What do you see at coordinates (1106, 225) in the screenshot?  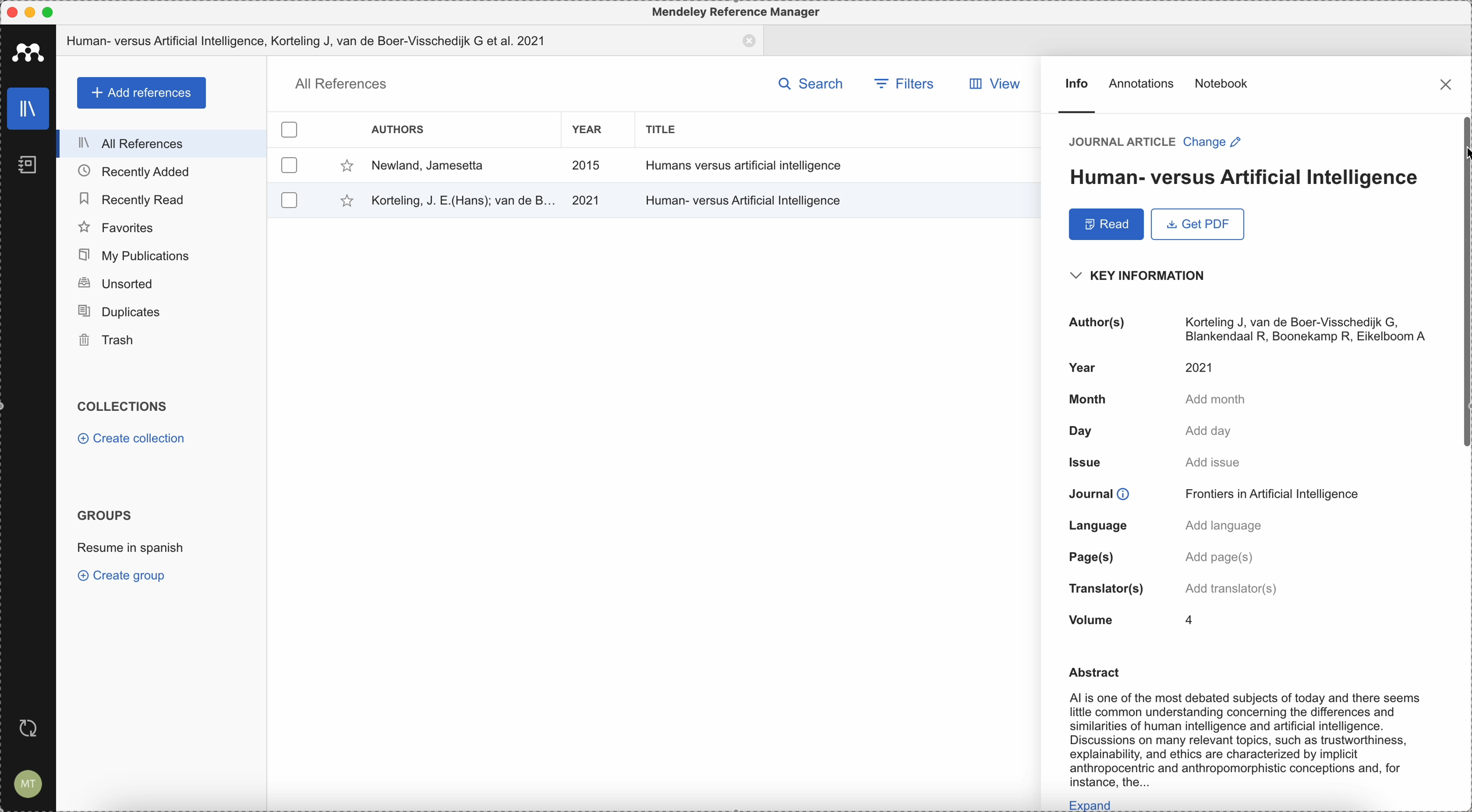 I see `read` at bounding box center [1106, 225].